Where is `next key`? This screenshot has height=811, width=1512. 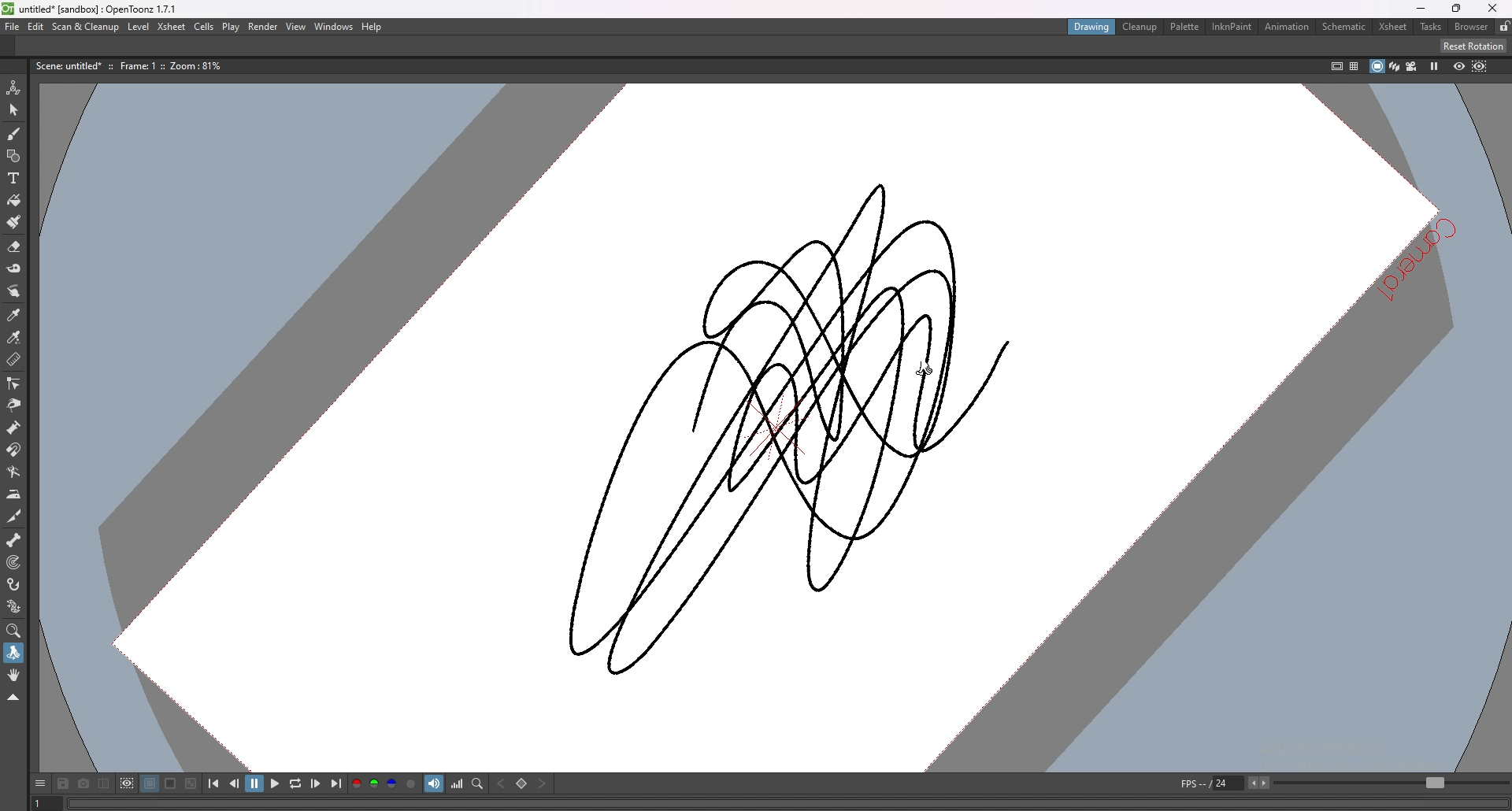
next key is located at coordinates (541, 783).